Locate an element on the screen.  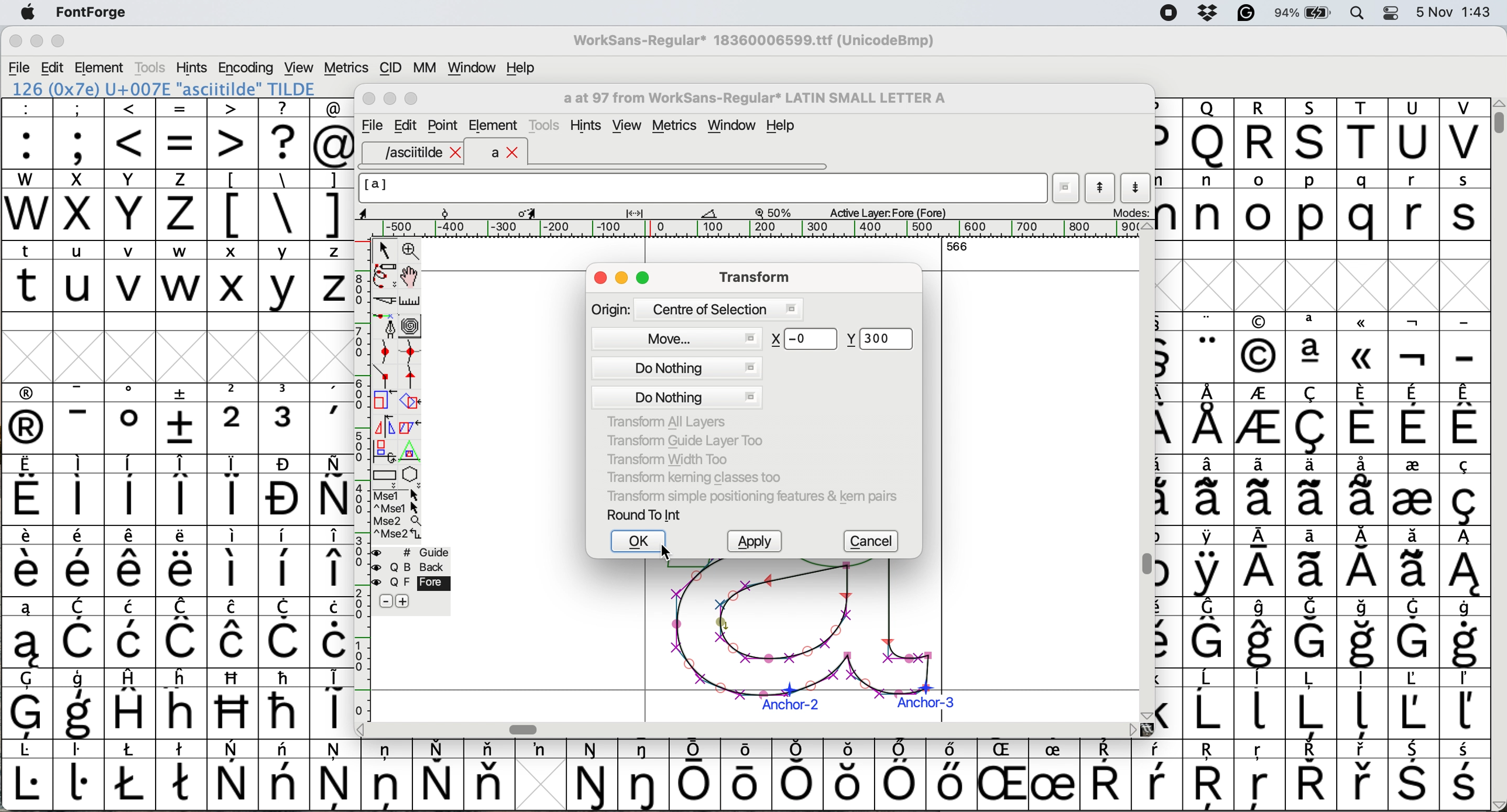
metrics is located at coordinates (679, 127).